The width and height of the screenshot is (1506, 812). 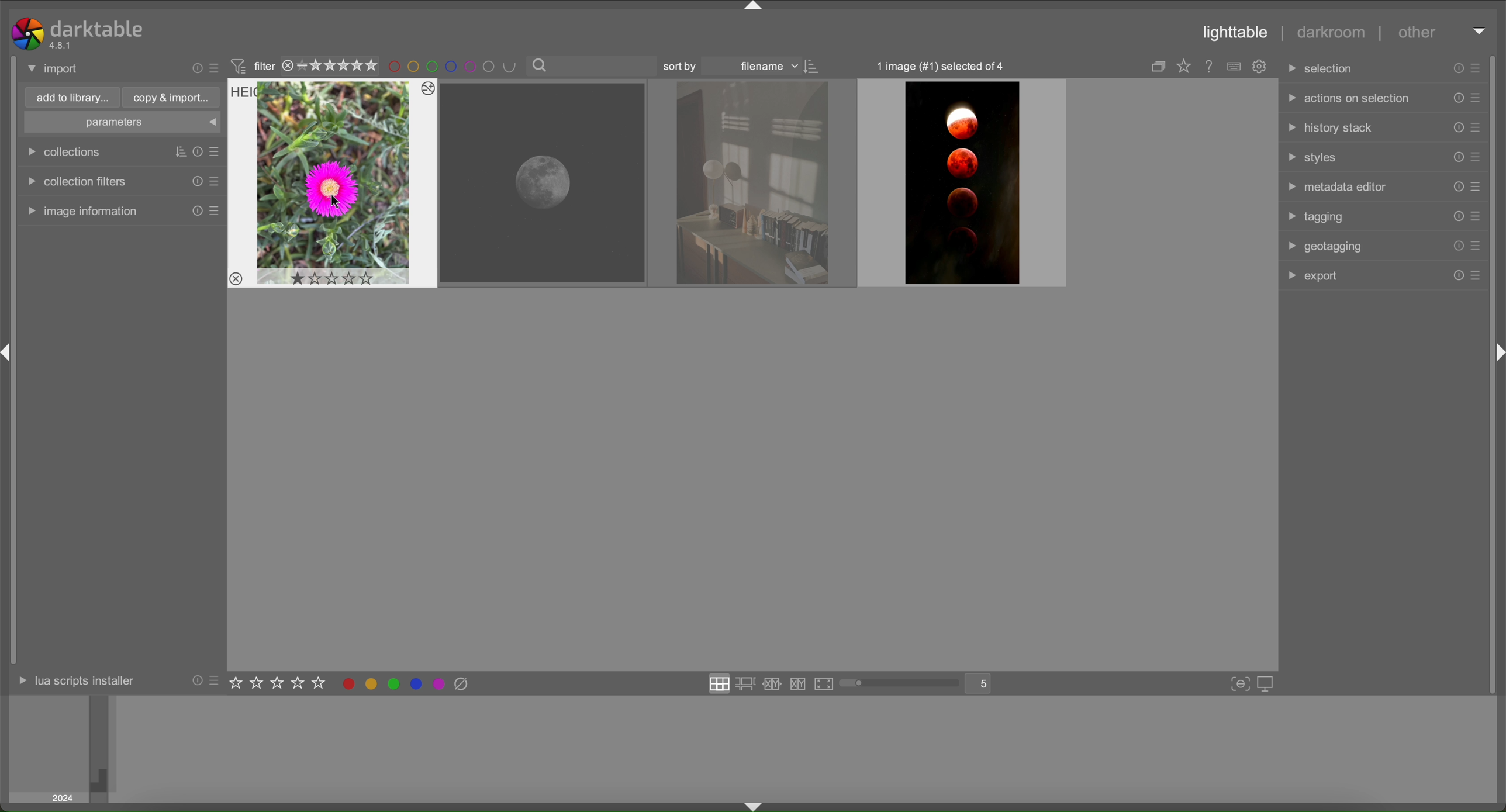 I want to click on presets, so click(x=1477, y=97).